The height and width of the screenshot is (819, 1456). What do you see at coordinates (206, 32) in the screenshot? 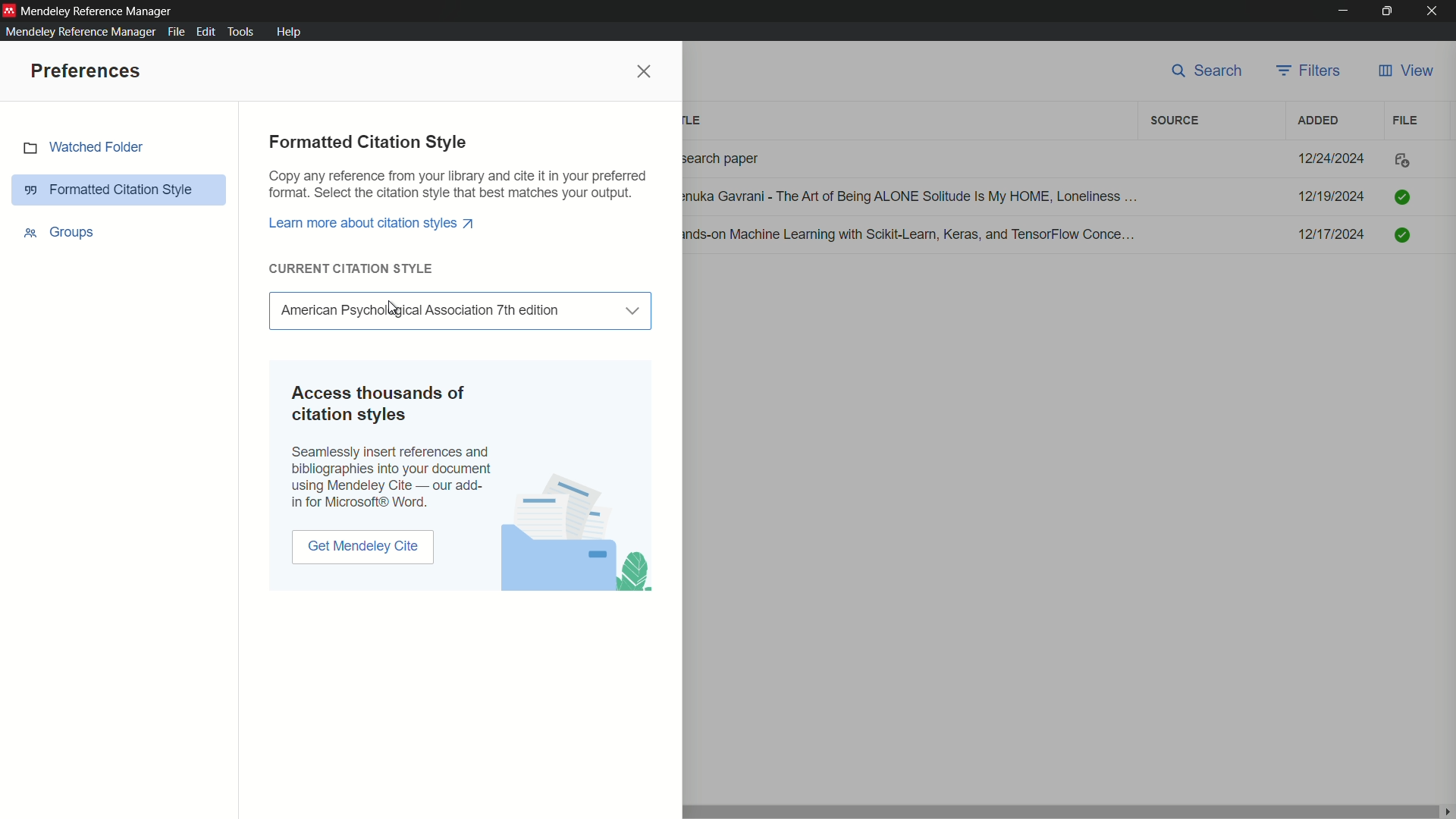
I see `edit menu` at bounding box center [206, 32].